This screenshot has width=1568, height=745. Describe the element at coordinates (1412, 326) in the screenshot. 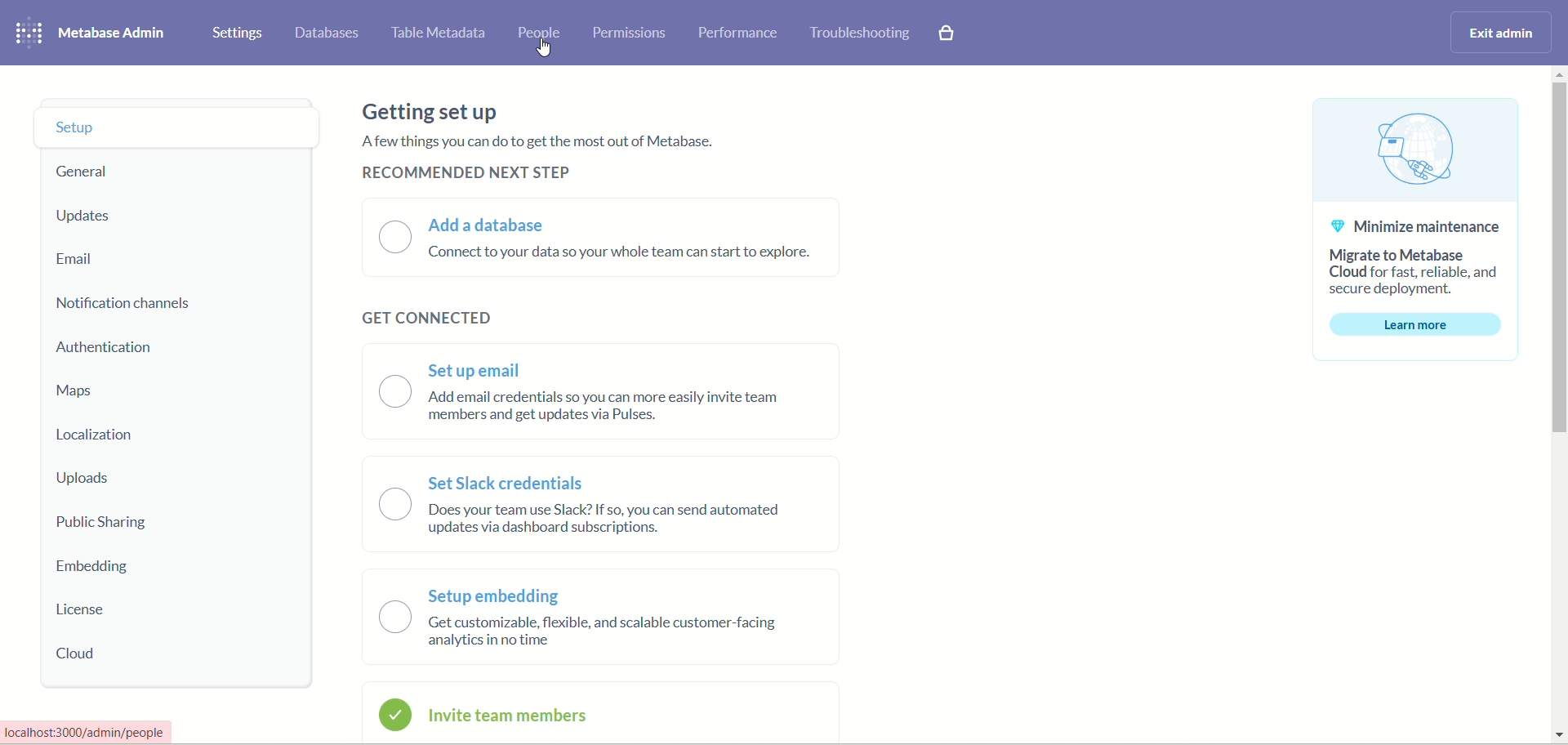

I see `learn more` at that location.